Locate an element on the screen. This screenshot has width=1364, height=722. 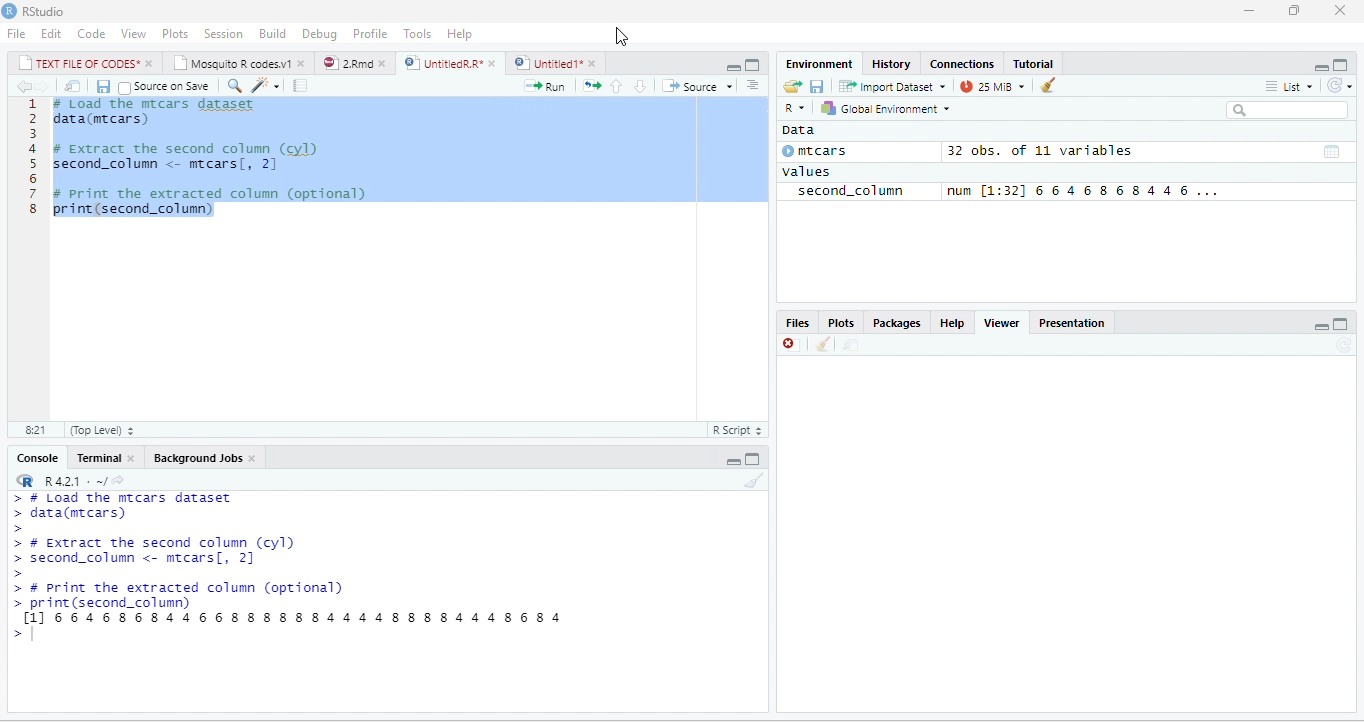
close is located at coordinates (1340, 10).